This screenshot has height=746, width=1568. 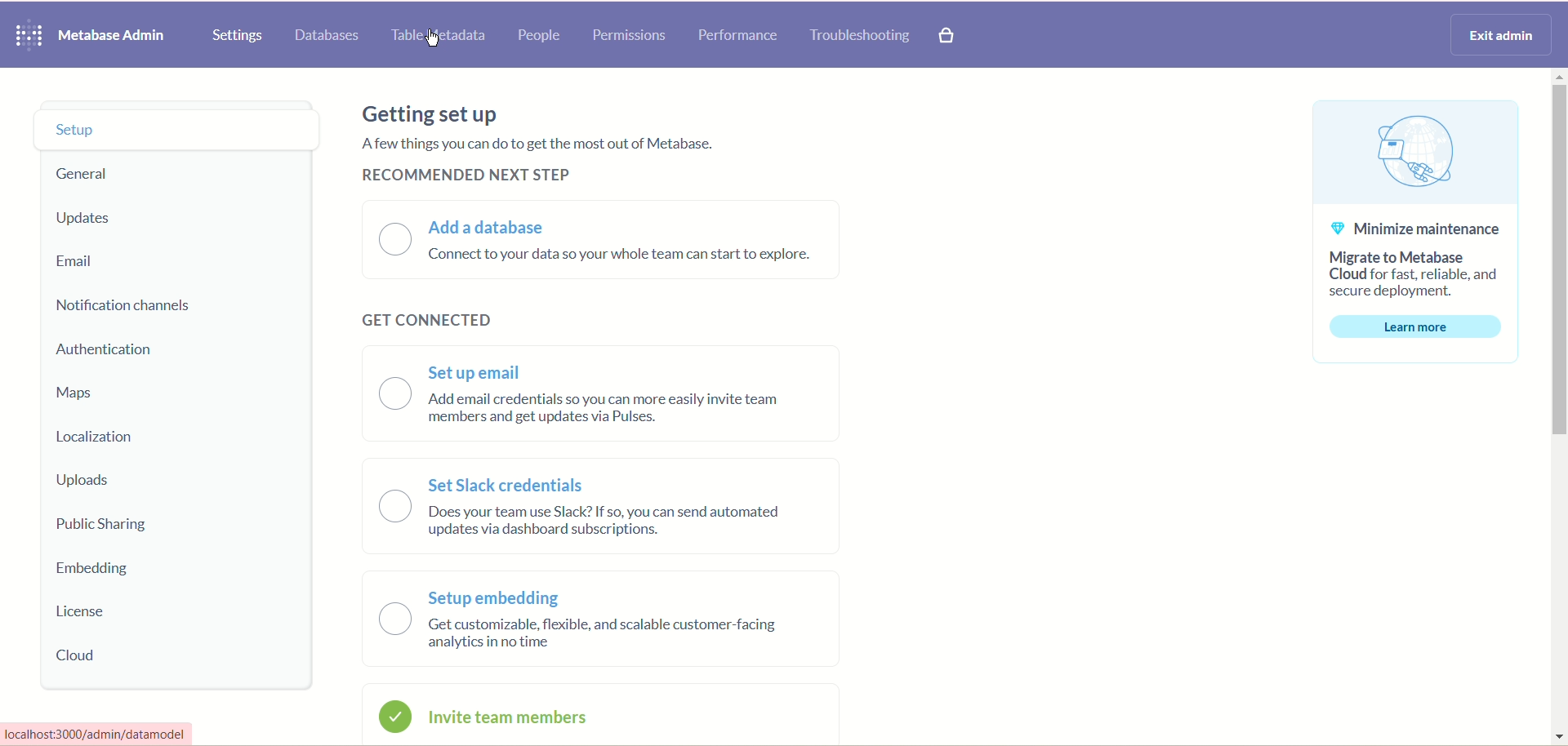 I want to click on Setup embedding
Get customizable, flexible, and scalable customer-facing
analytics in no time, so click(x=614, y=619).